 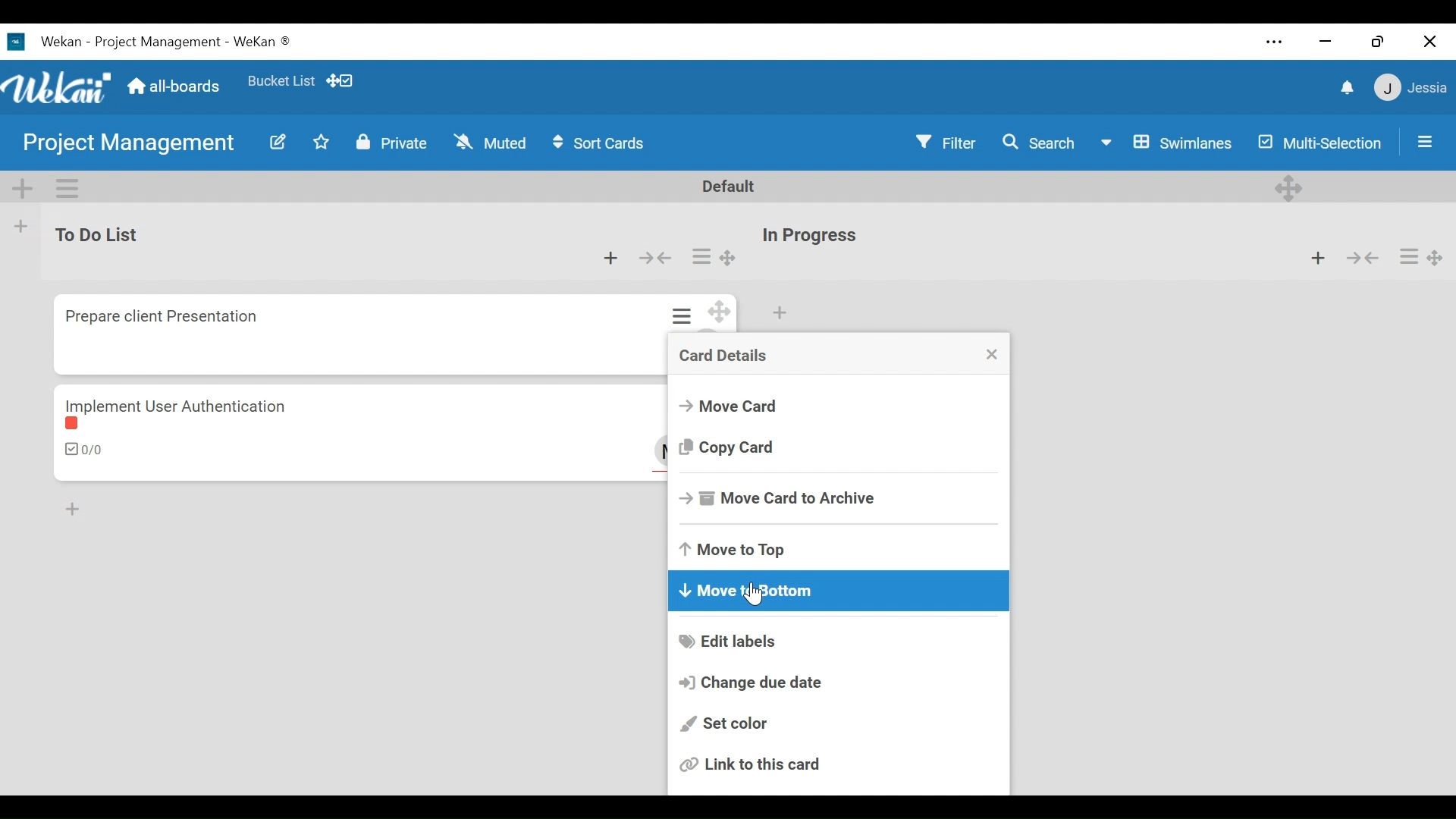 What do you see at coordinates (67, 187) in the screenshot?
I see `Swimlane actions` at bounding box center [67, 187].